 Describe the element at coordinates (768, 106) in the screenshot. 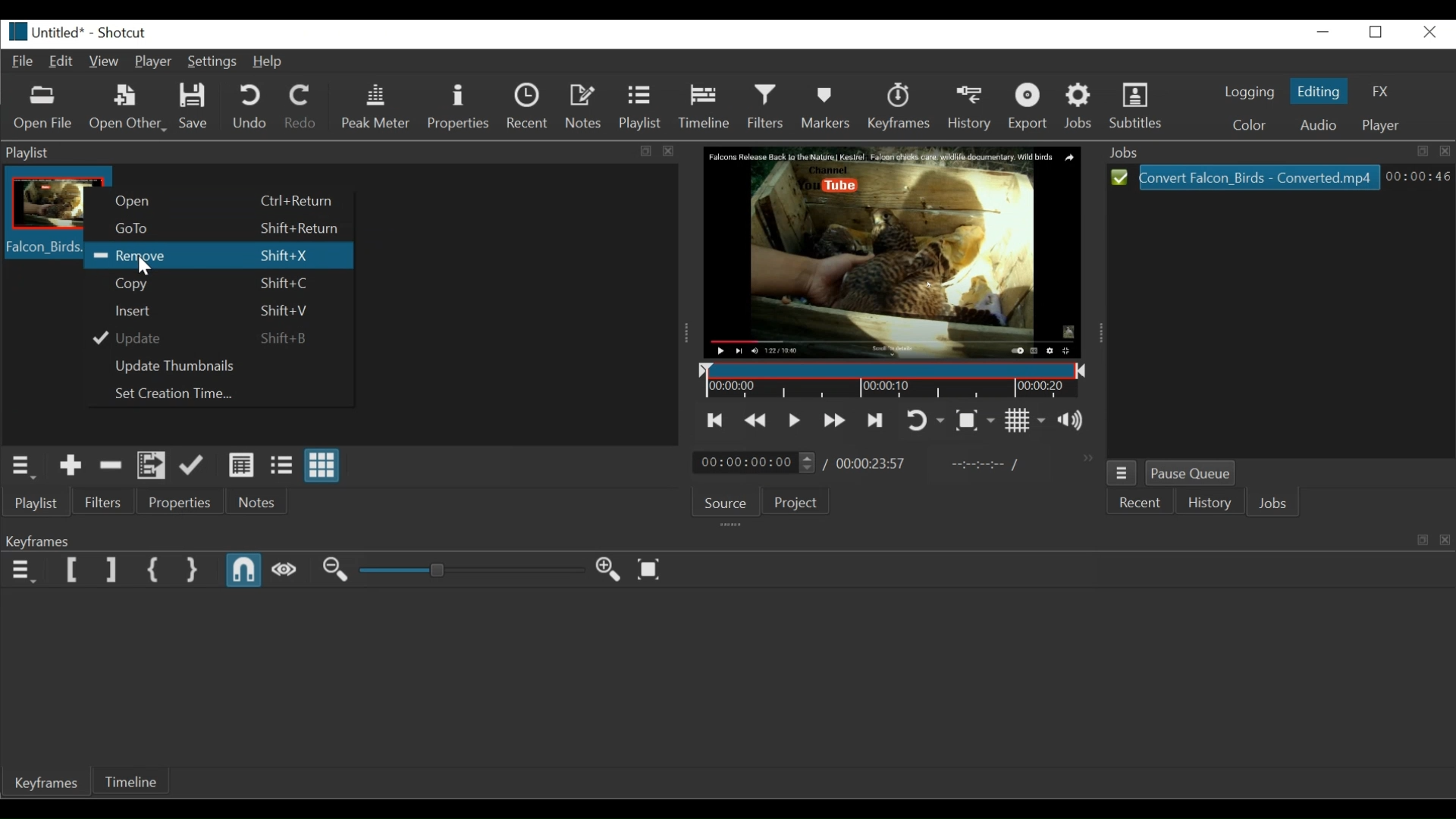

I see `Filters` at that location.